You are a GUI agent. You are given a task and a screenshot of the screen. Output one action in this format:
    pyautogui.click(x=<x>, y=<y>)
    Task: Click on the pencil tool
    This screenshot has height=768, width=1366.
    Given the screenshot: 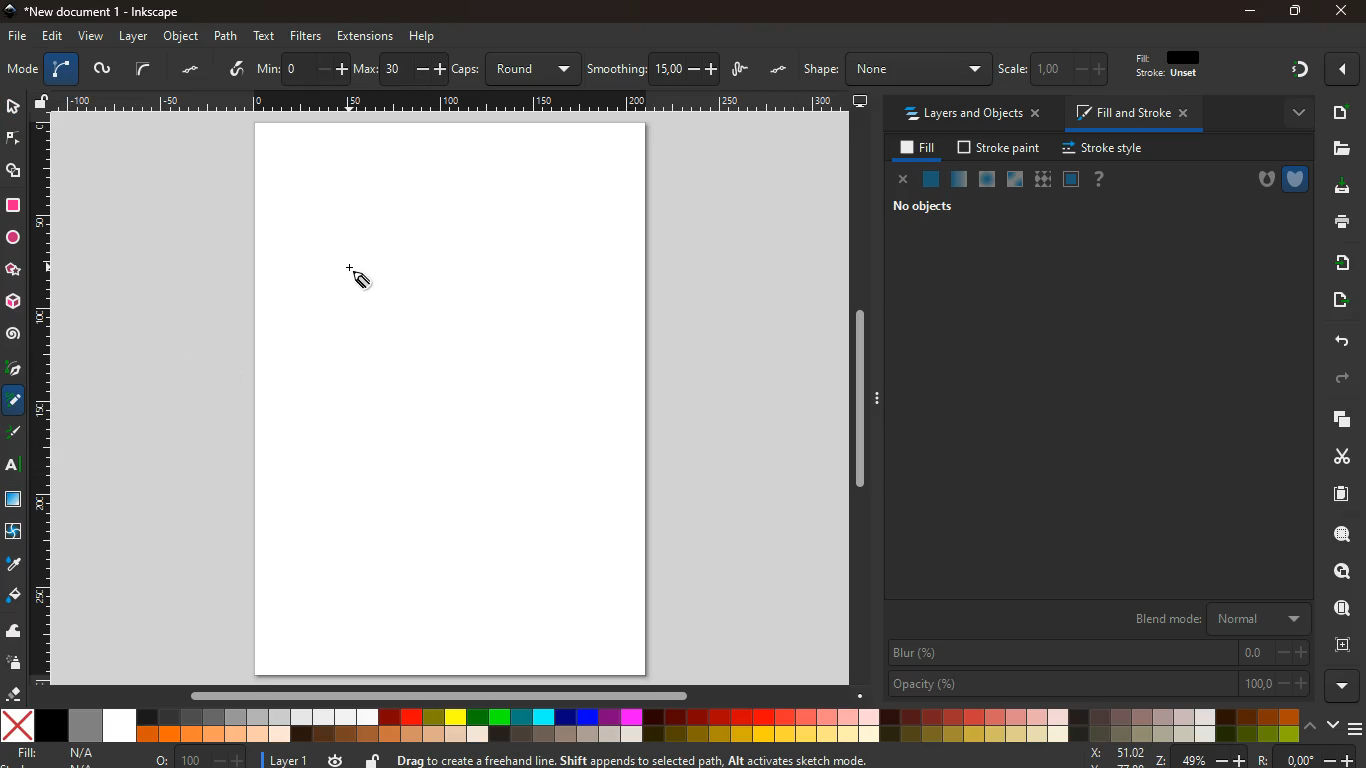 What is the action you would take?
    pyautogui.click(x=16, y=434)
    